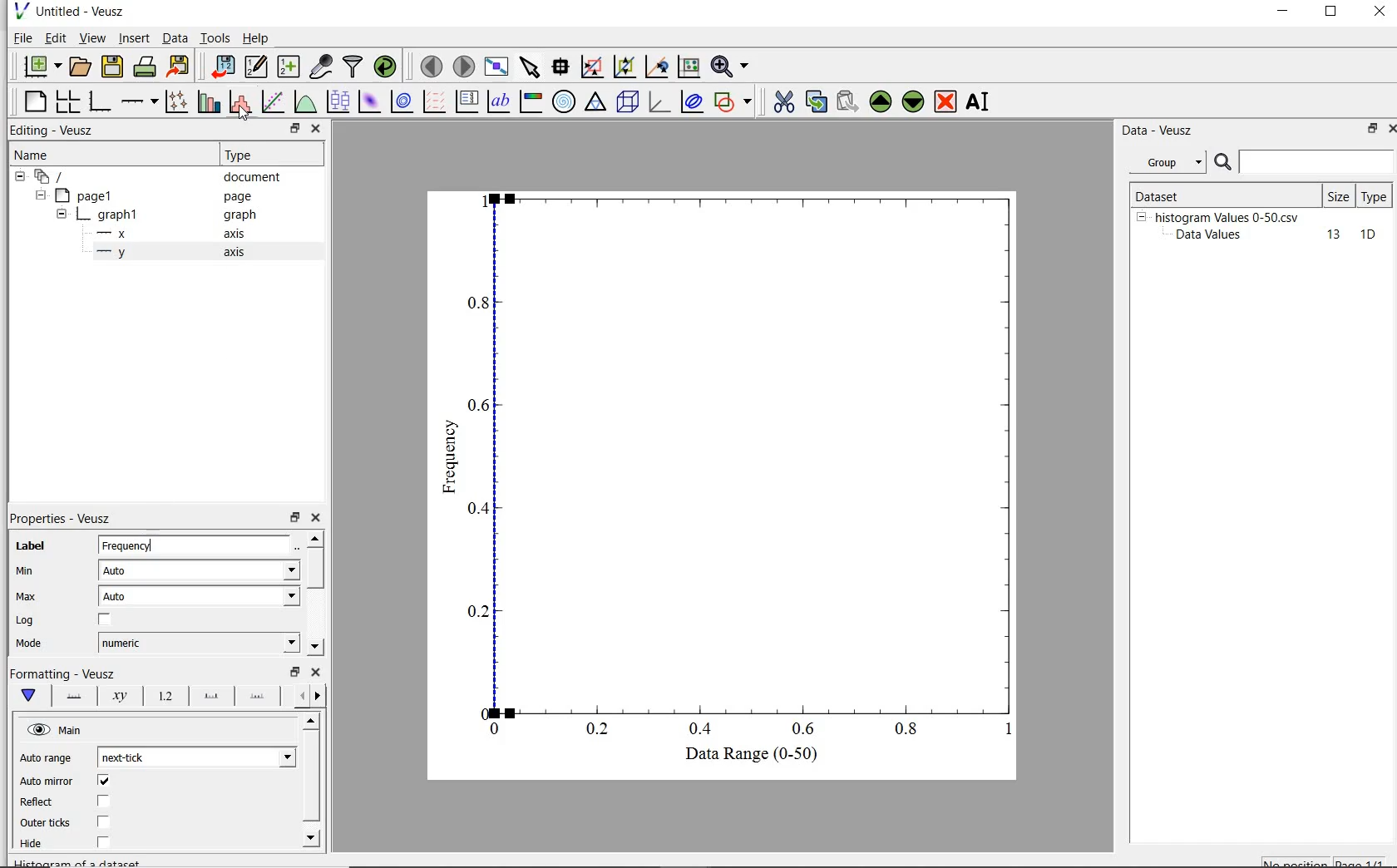 This screenshot has width=1397, height=868. I want to click on hide, so click(1141, 216).